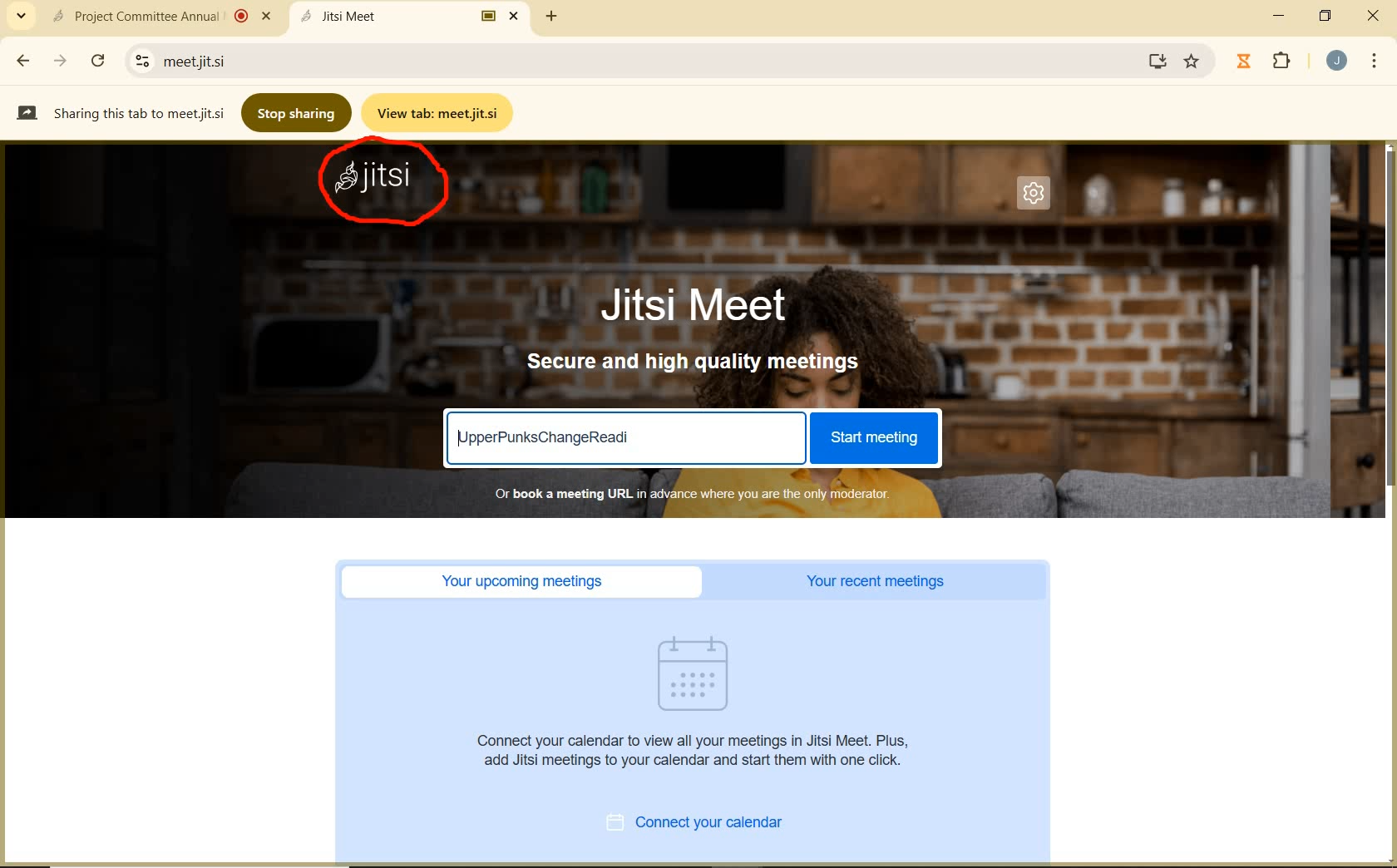  What do you see at coordinates (263, 61) in the screenshot?
I see `meet.jit.si` at bounding box center [263, 61].